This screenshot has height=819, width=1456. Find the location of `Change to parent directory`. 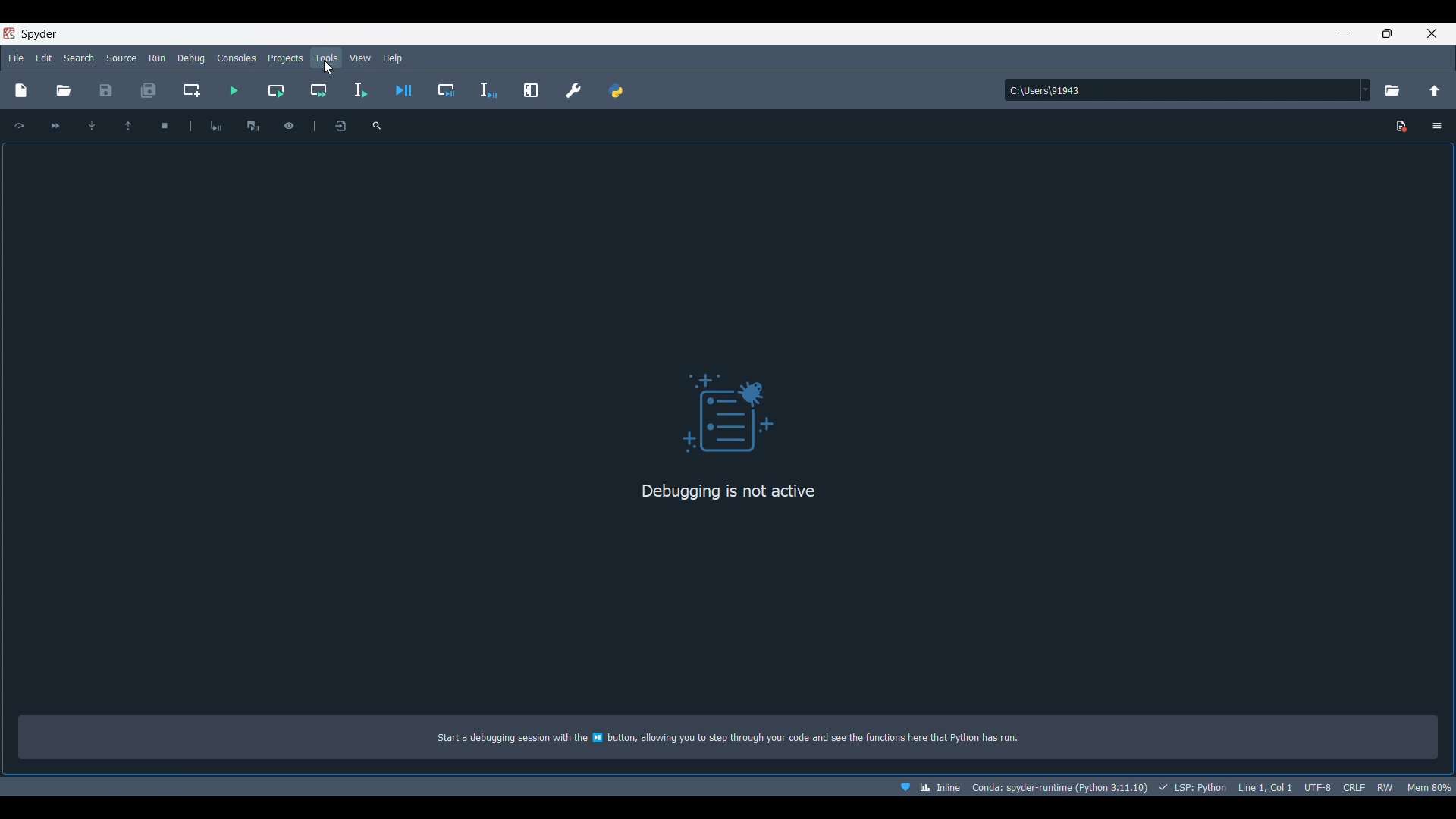

Change to parent directory is located at coordinates (1435, 90).